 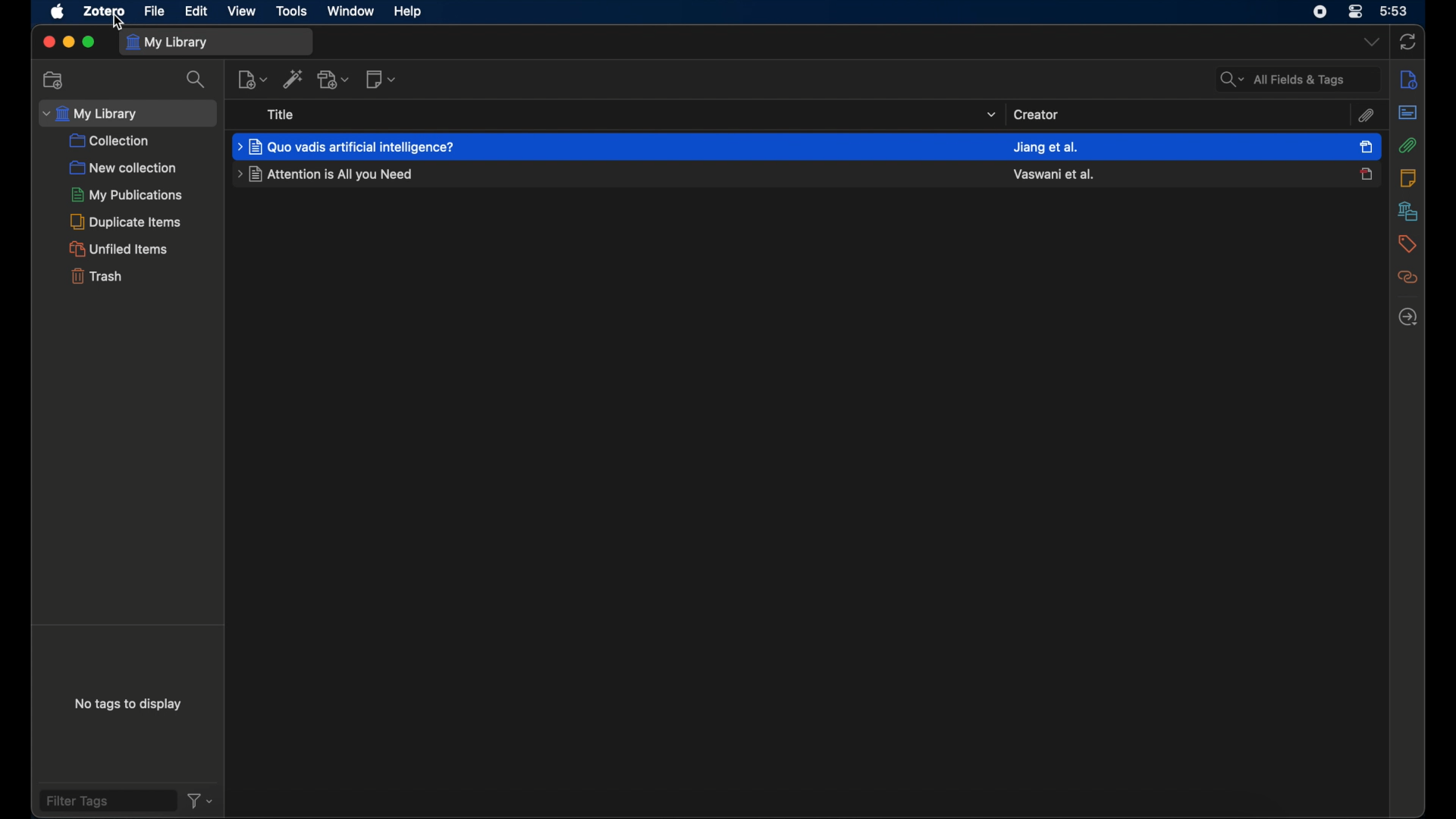 I want to click on attachements, so click(x=1407, y=146).